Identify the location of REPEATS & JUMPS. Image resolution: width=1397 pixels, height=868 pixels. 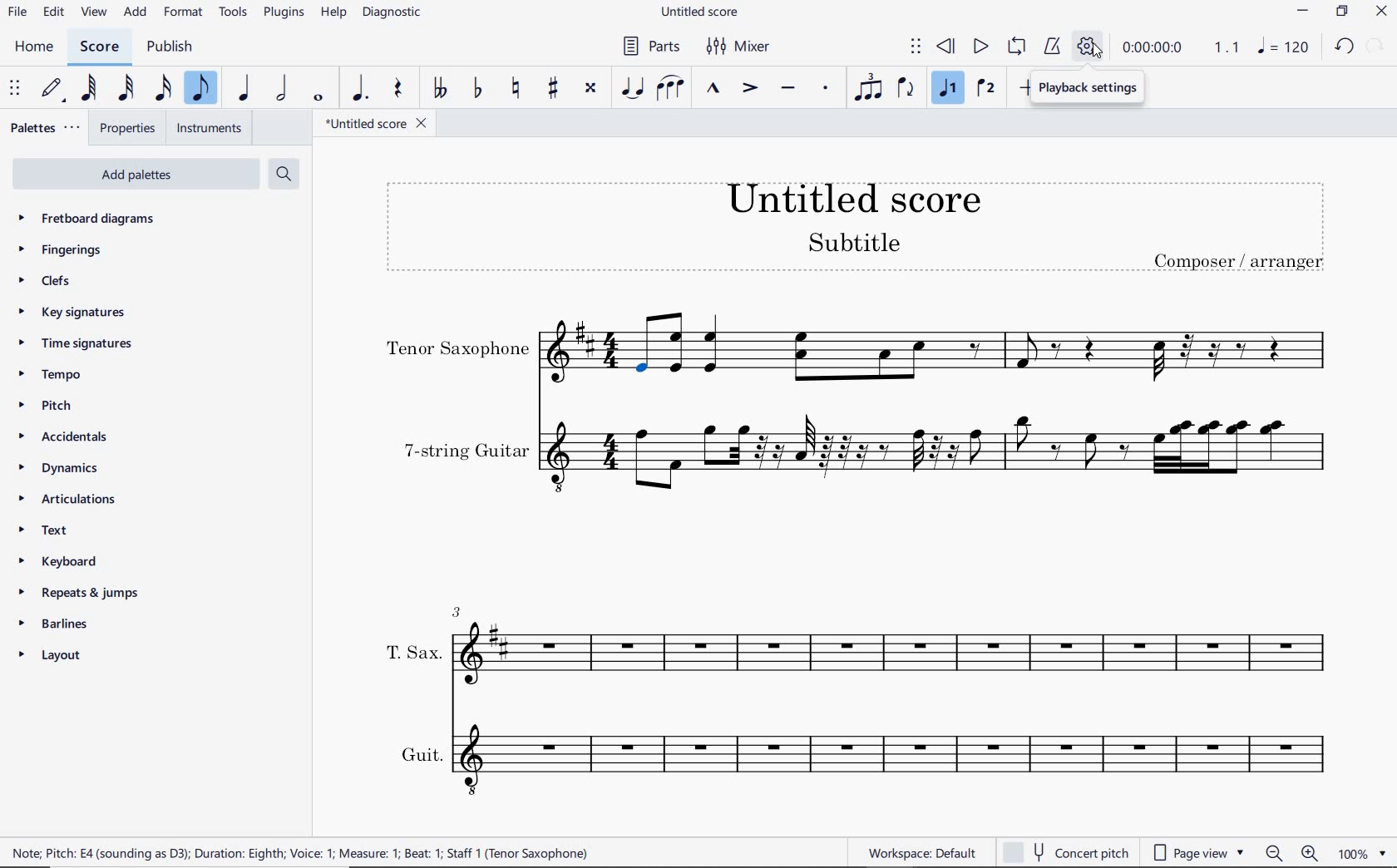
(81, 595).